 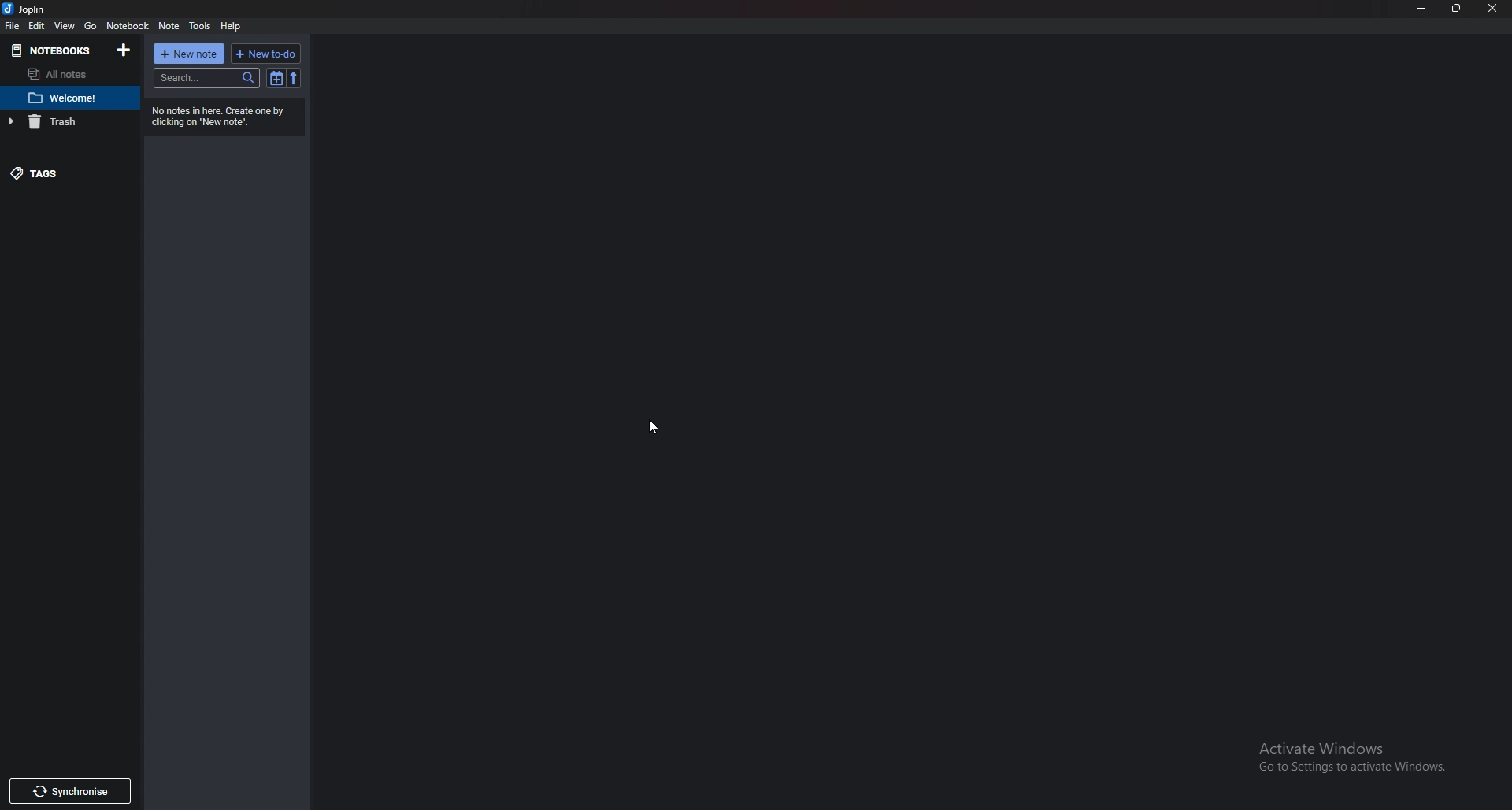 I want to click on note, so click(x=69, y=98).